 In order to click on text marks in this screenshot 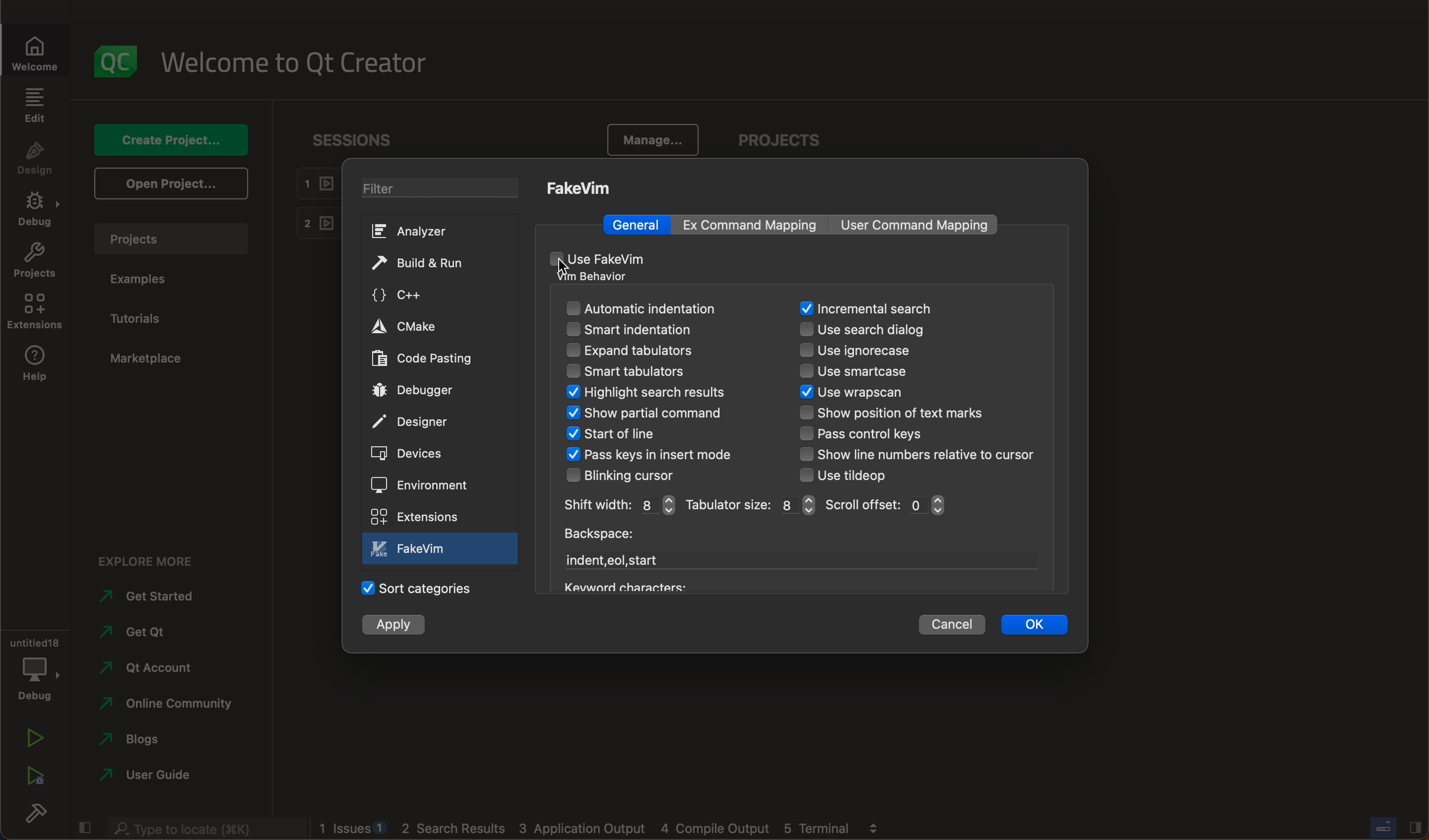, I will do `click(895, 415)`.